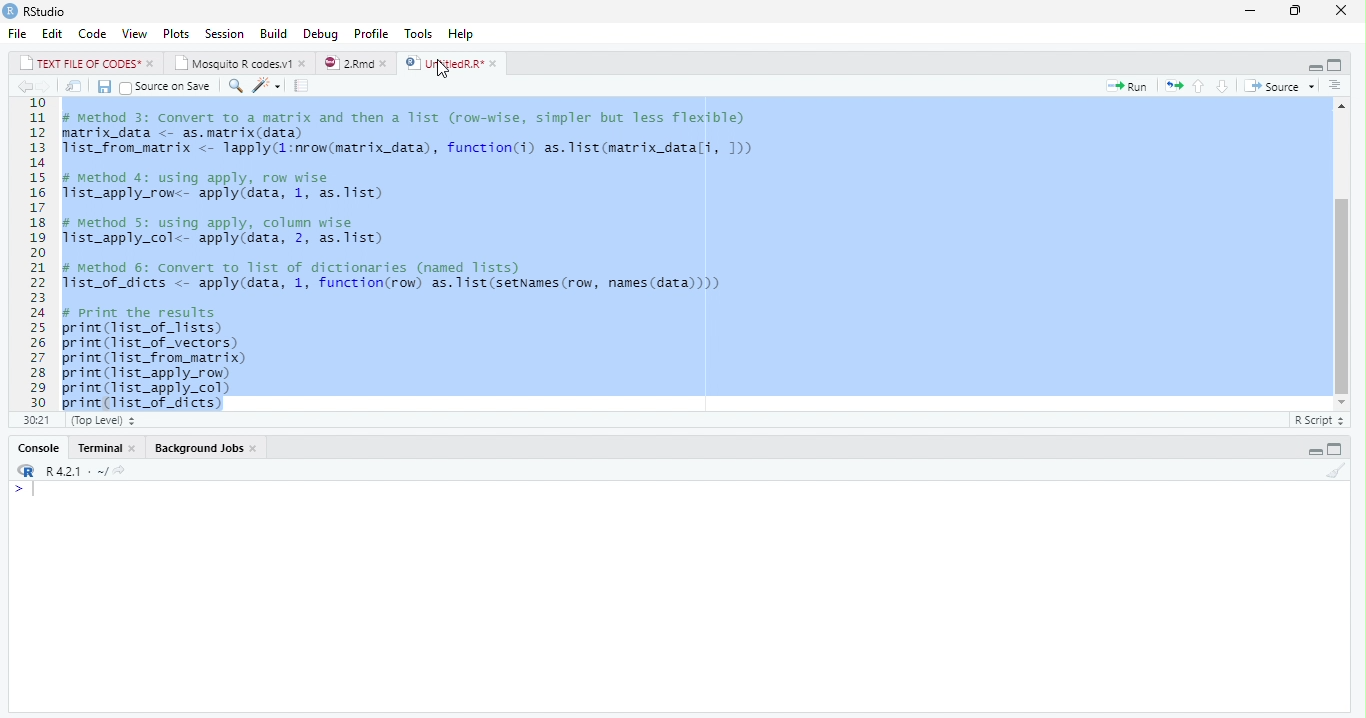 The height and width of the screenshot is (718, 1366). What do you see at coordinates (1196, 86) in the screenshot?
I see `go to previous section/chunk` at bounding box center [1196, 86].